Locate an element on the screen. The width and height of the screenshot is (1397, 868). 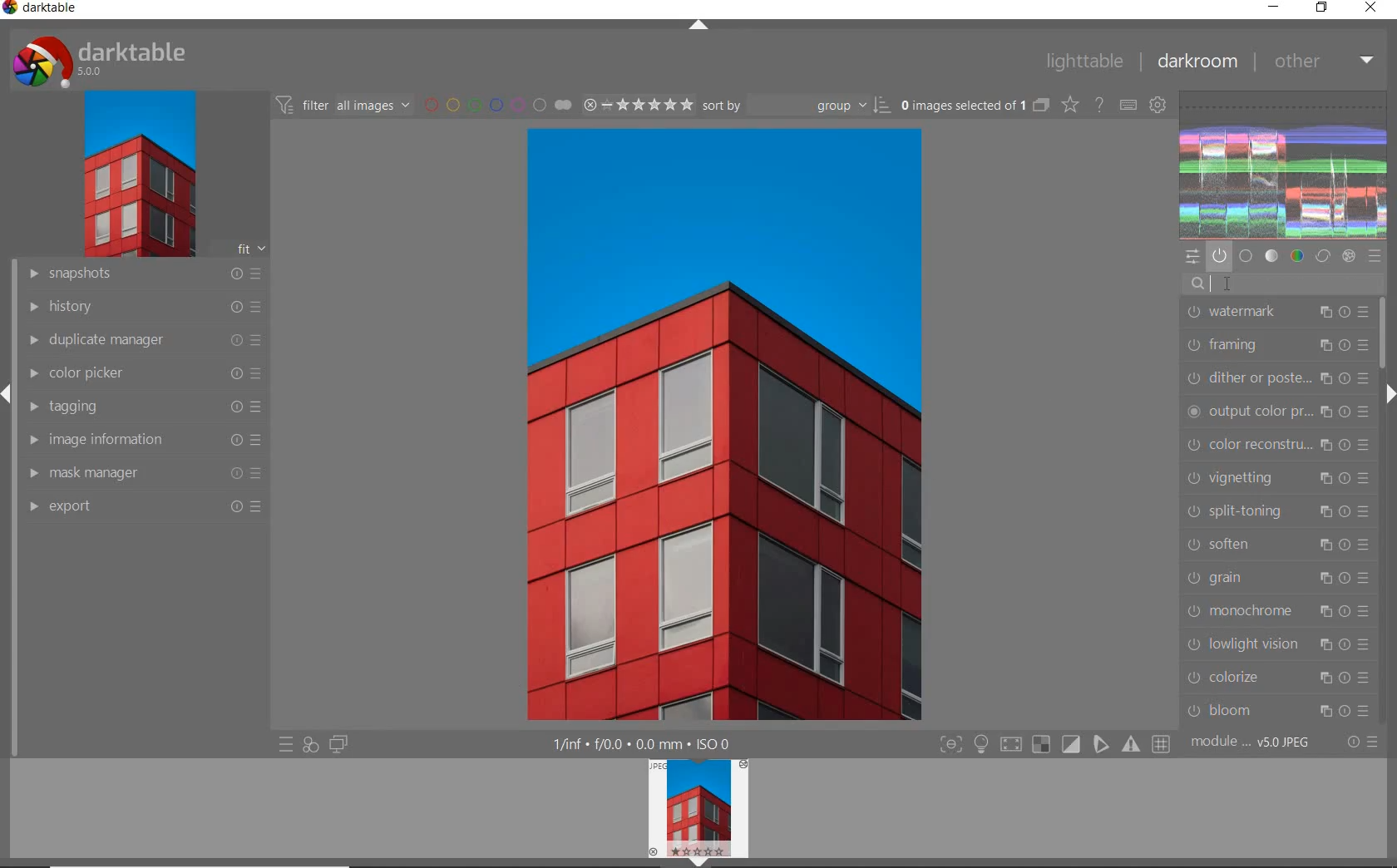
soften is located at coordinates (1279, 546).